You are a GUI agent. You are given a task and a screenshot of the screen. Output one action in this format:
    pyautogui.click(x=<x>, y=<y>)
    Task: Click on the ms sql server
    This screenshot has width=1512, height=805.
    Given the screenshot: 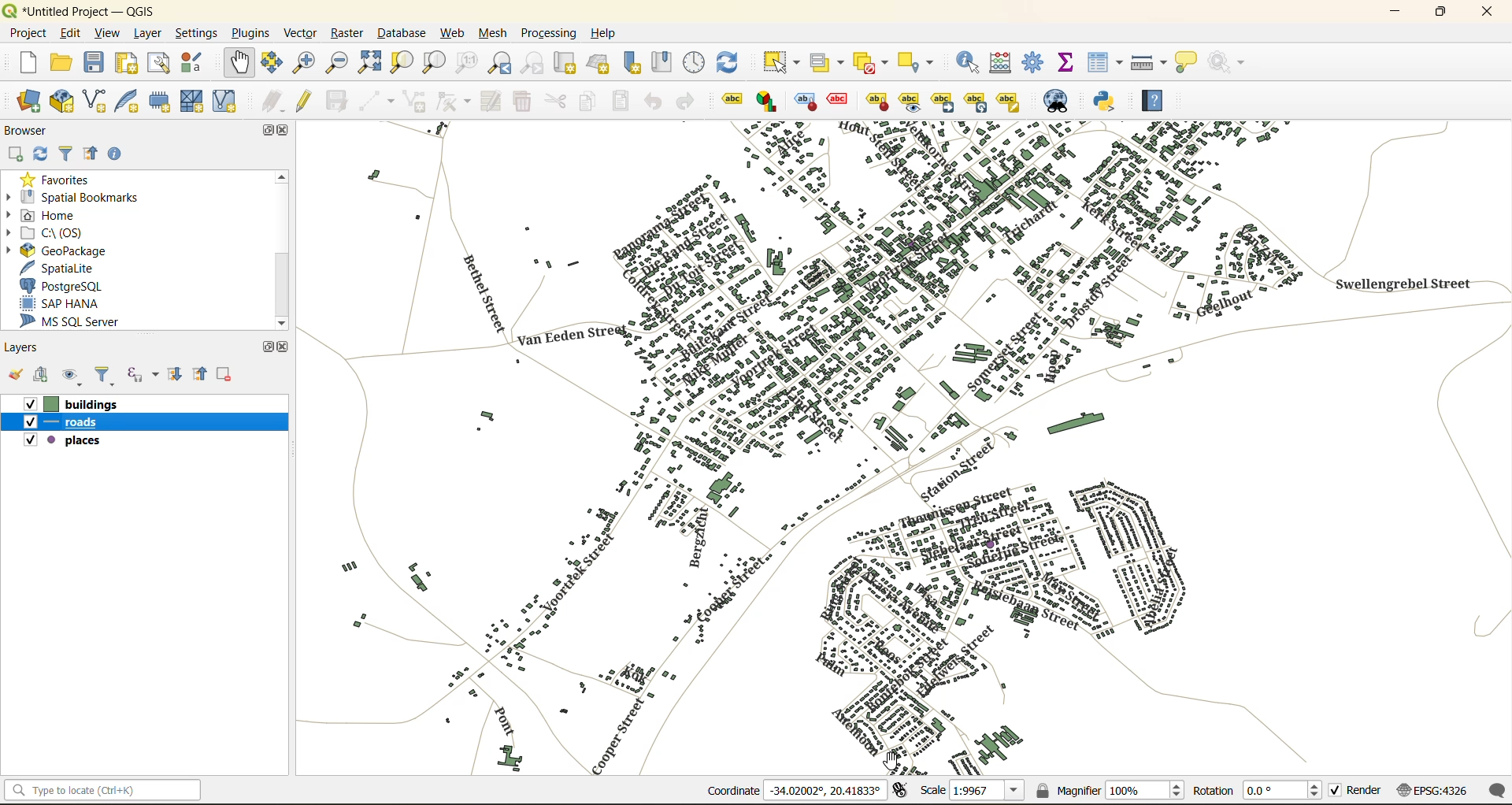 What is the action you would take?
    pyautogui.click(x=73, y=322)
    